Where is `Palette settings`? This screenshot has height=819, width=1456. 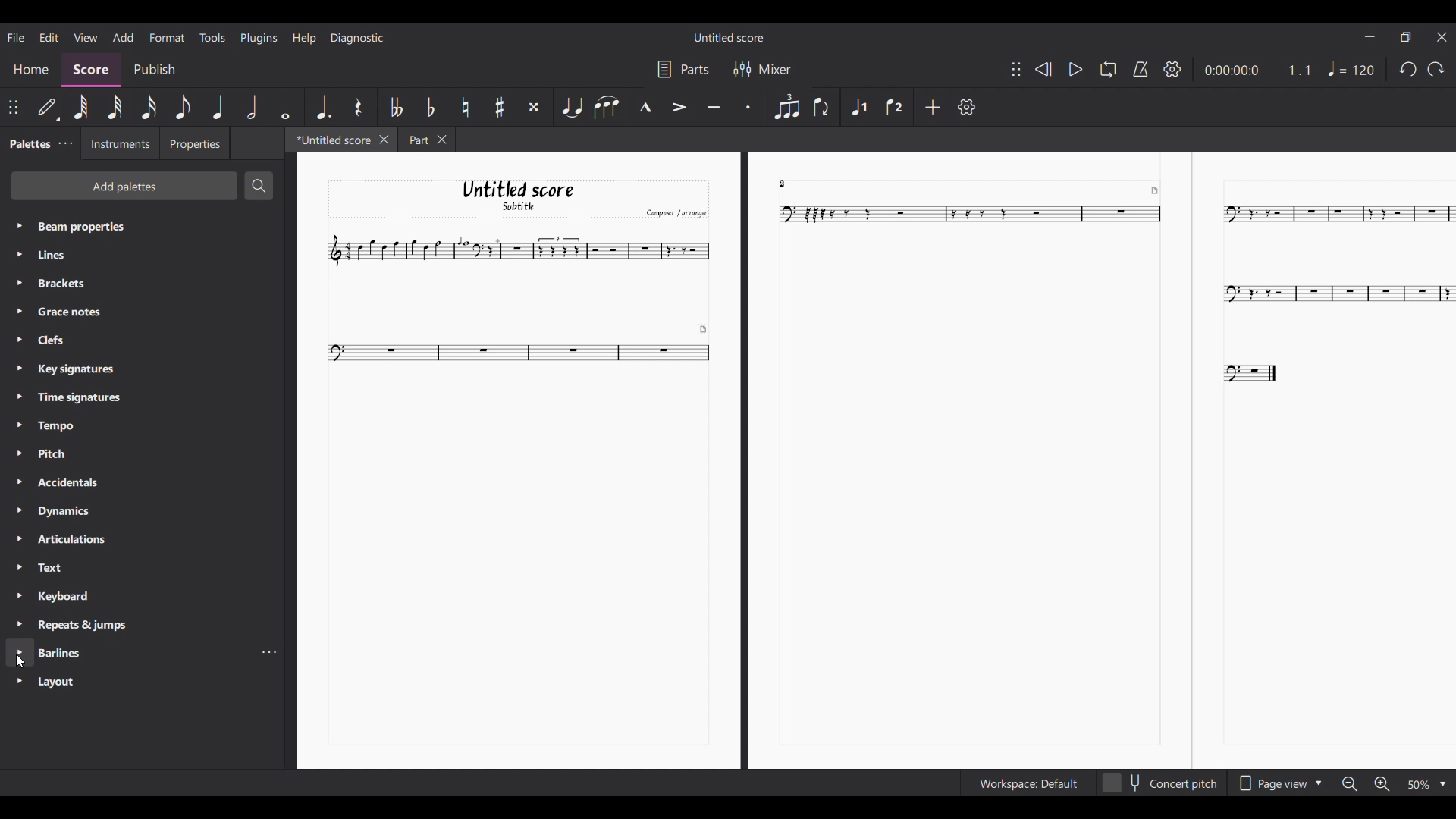
Palette settings is located at coordinates (60, 595).